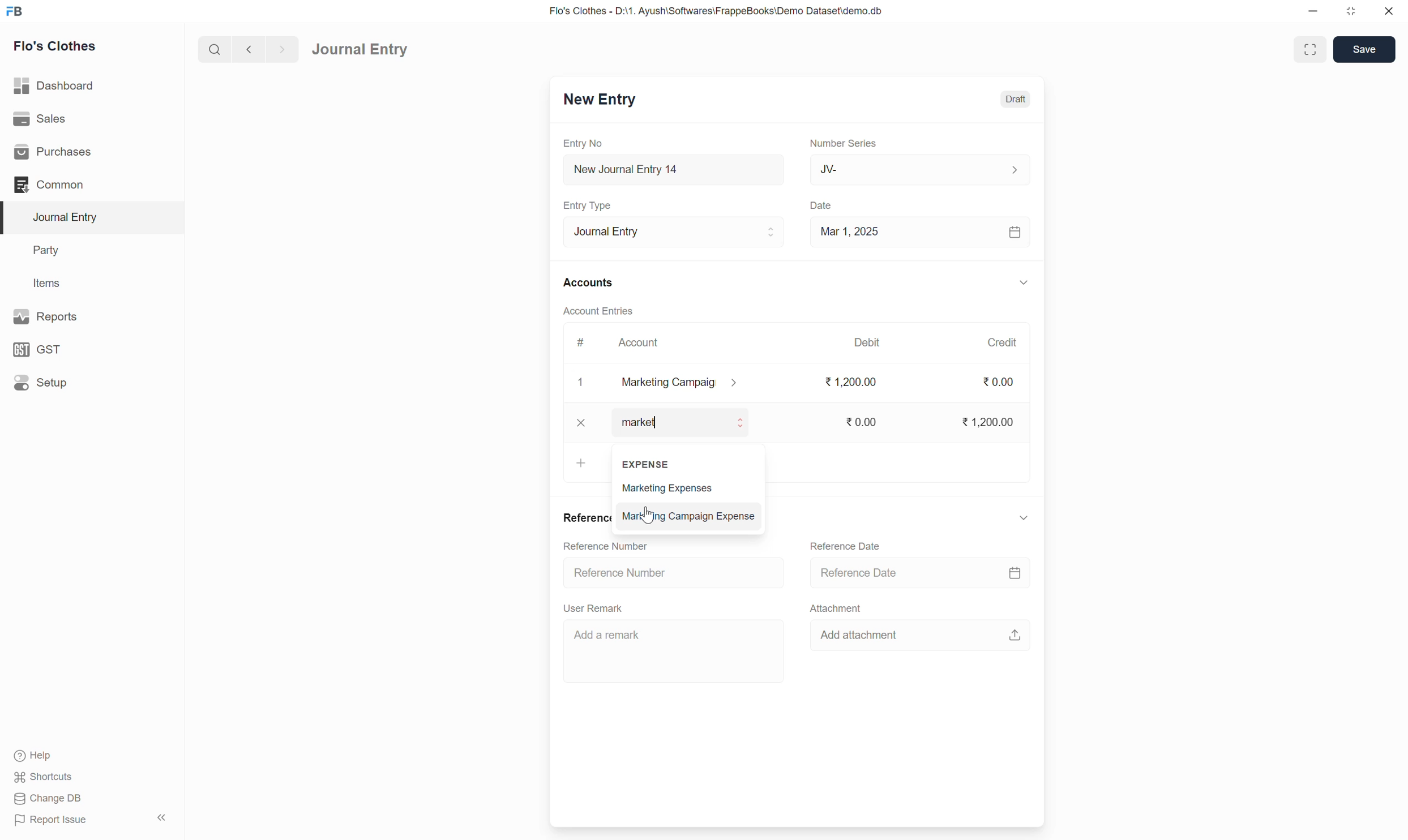 This screenshot has height=840, width=1408. What do you see at coordinates (360, 50) in the screenshot?
I see `Journal Entry` at bounding box center [360, 50].